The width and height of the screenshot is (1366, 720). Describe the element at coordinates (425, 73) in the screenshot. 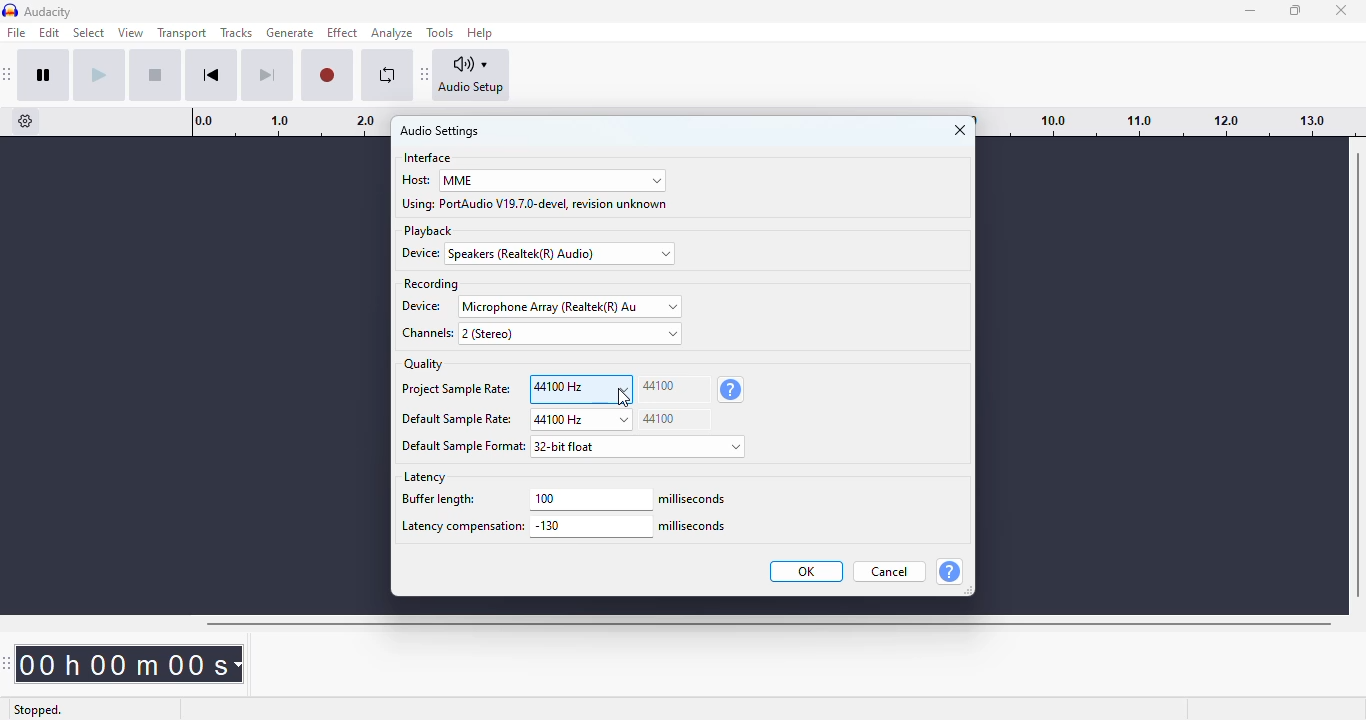

I see `audacity audio setup toolbar` at that location.